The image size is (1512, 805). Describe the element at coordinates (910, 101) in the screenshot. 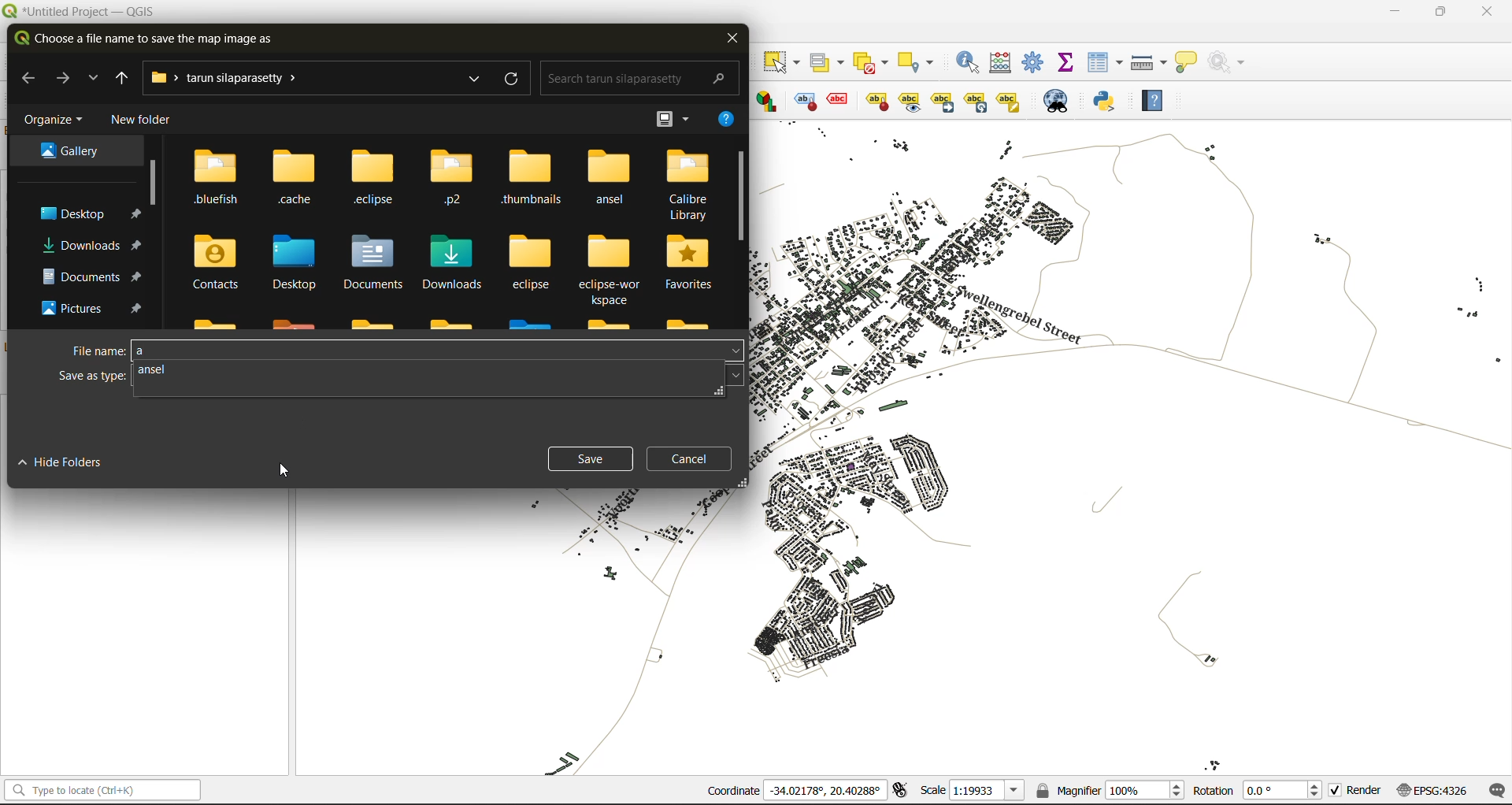

I see `Move a label, diagrams or callout ` at that location.